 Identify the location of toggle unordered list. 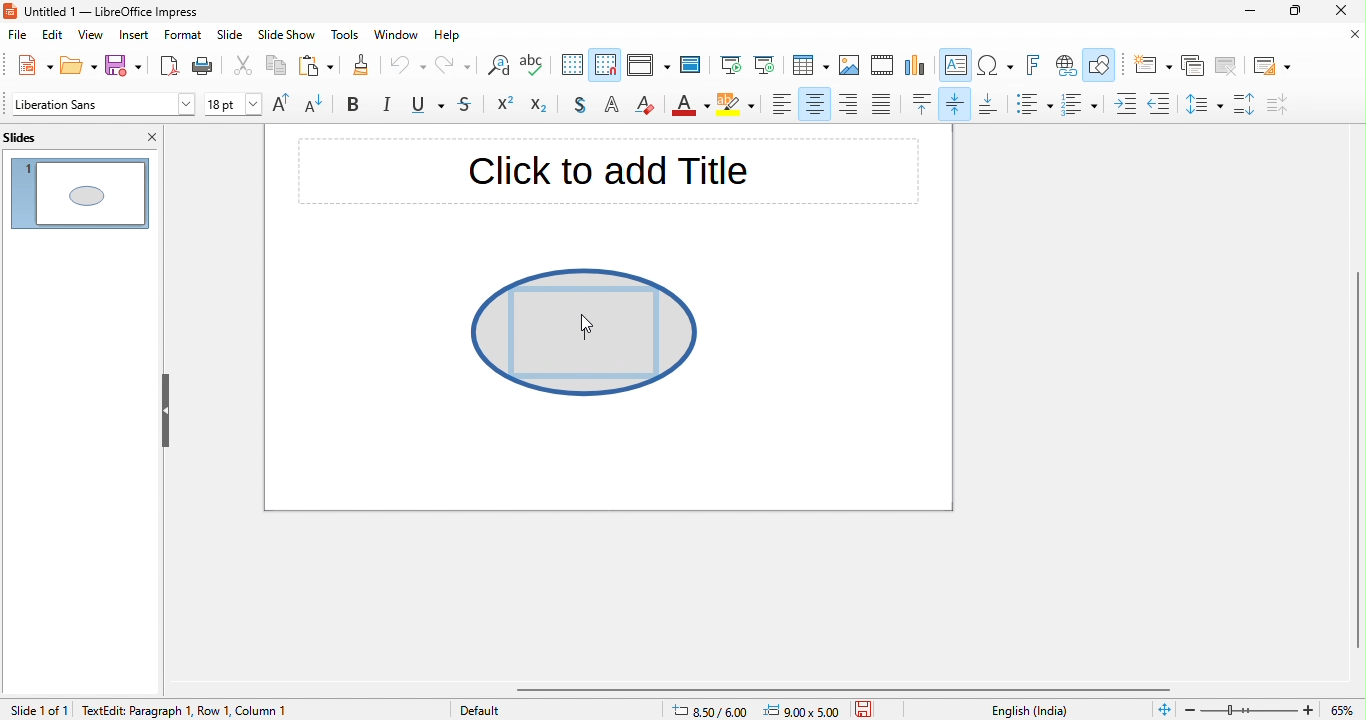
(1033, 104).